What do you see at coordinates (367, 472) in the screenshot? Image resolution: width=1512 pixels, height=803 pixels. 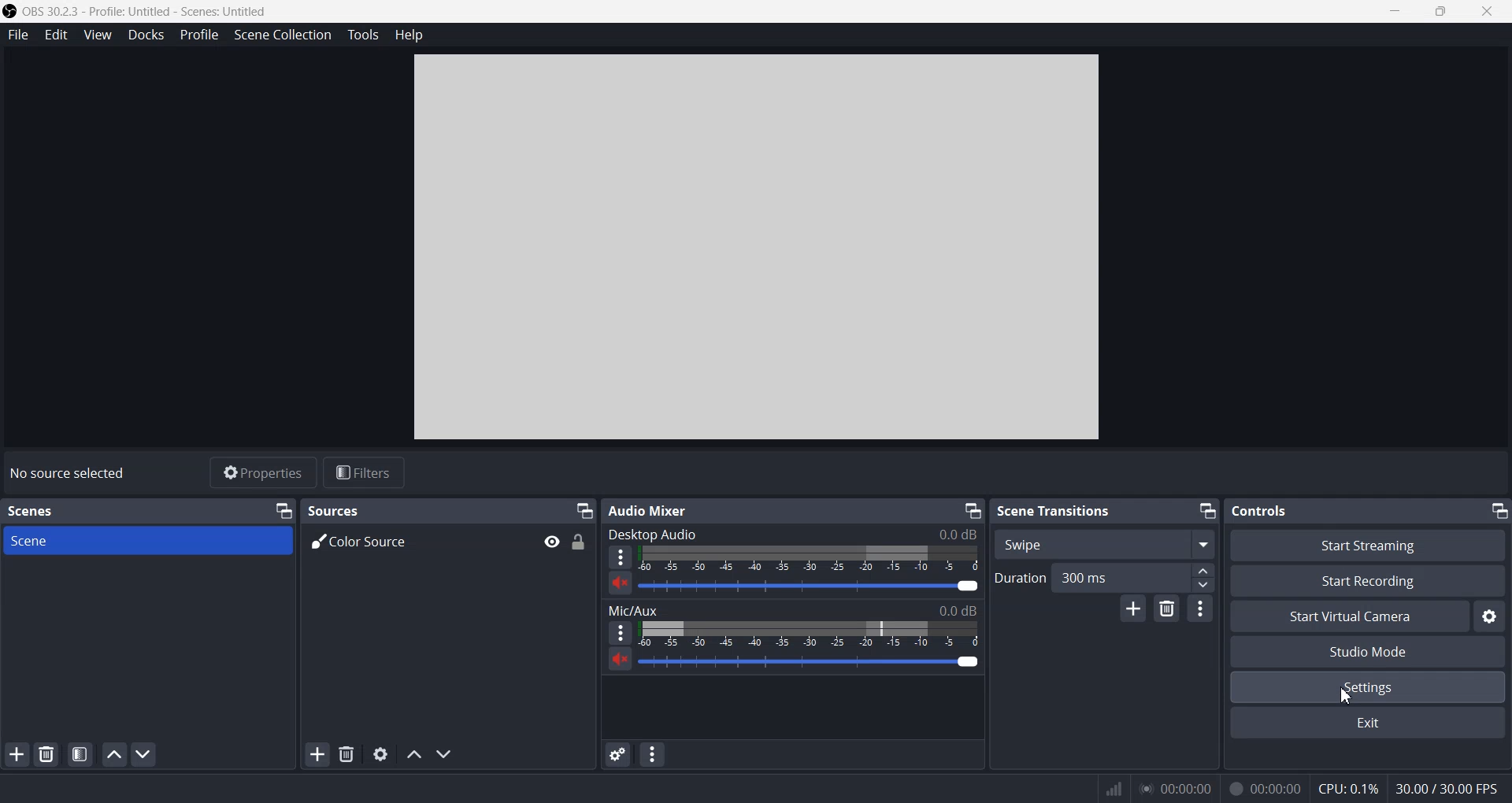 I see `Filters` at bounding box center [367, 472].